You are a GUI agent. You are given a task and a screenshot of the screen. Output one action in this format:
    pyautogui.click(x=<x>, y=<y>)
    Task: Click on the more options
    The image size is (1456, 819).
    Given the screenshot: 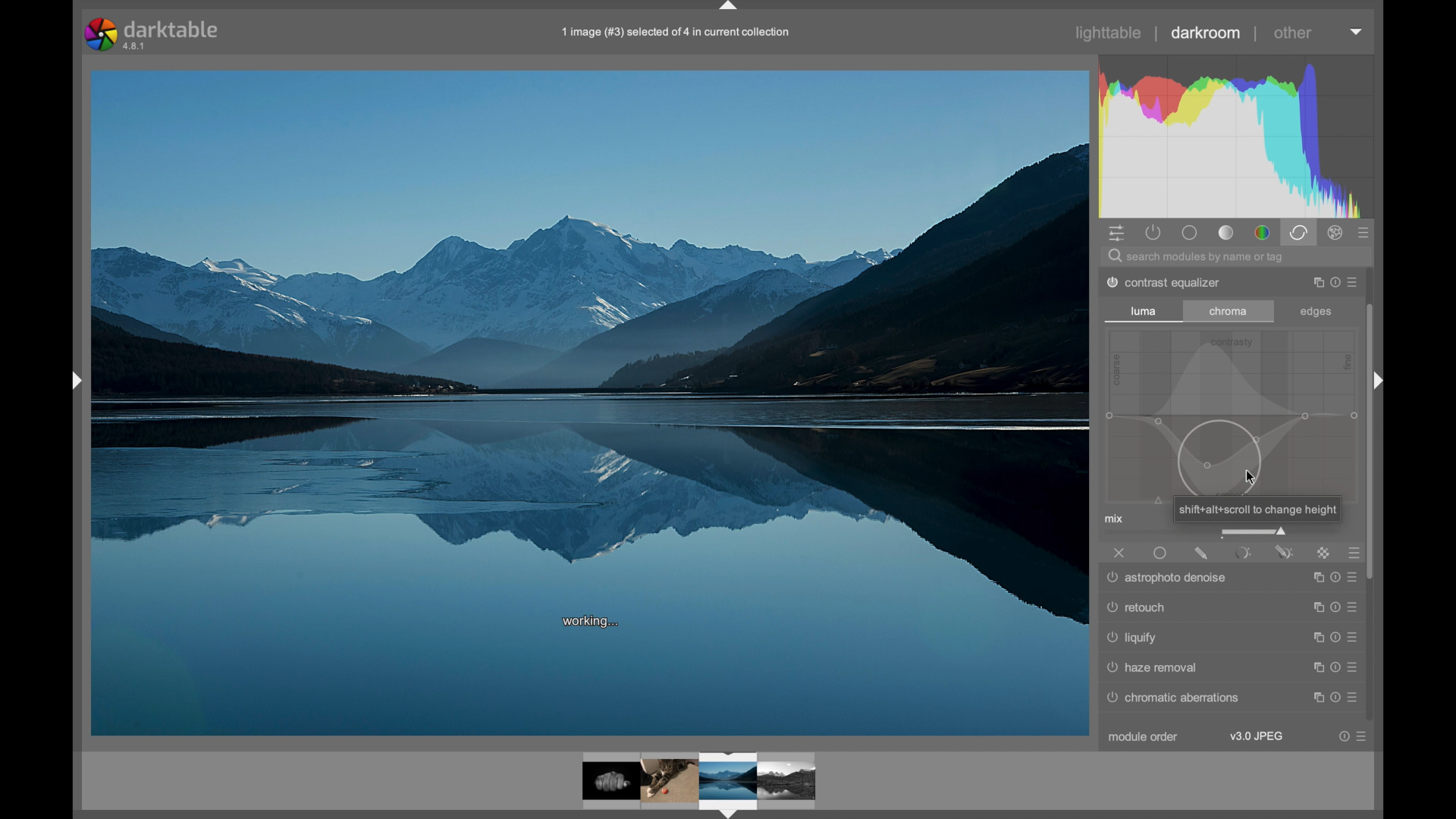 What is the action you would take?
    pyautogui.click(x=1333, y=642)
    